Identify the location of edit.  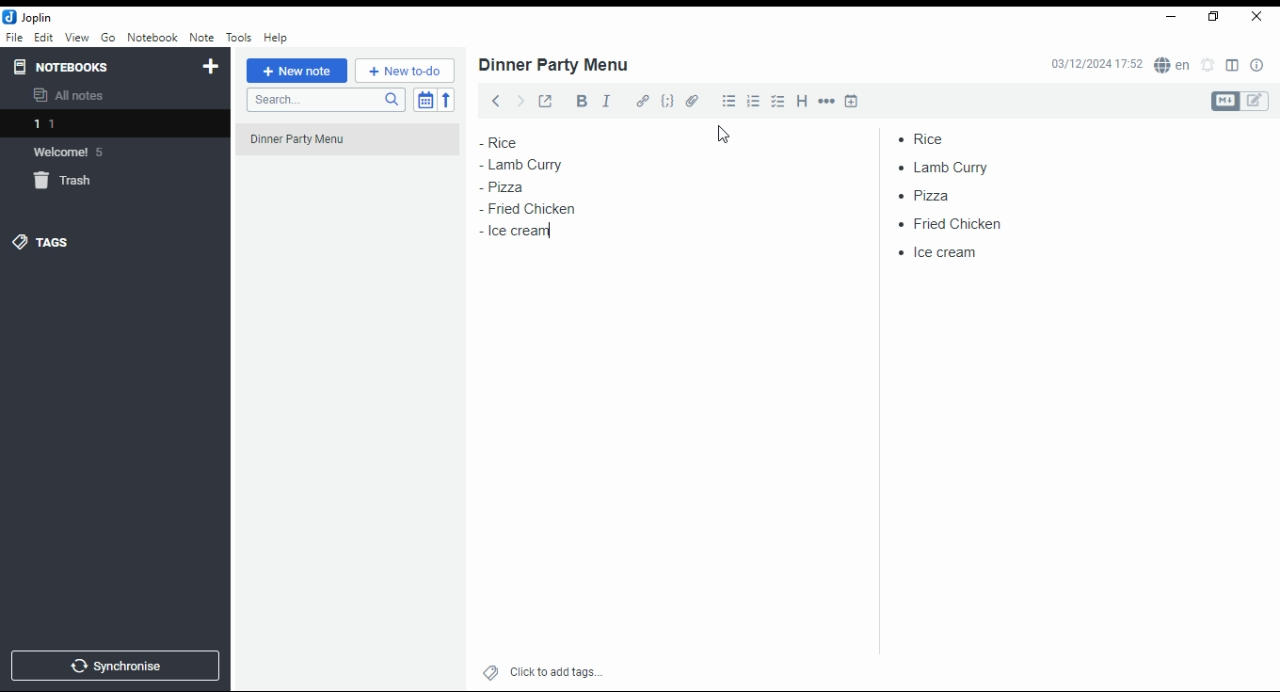
(44, 37).